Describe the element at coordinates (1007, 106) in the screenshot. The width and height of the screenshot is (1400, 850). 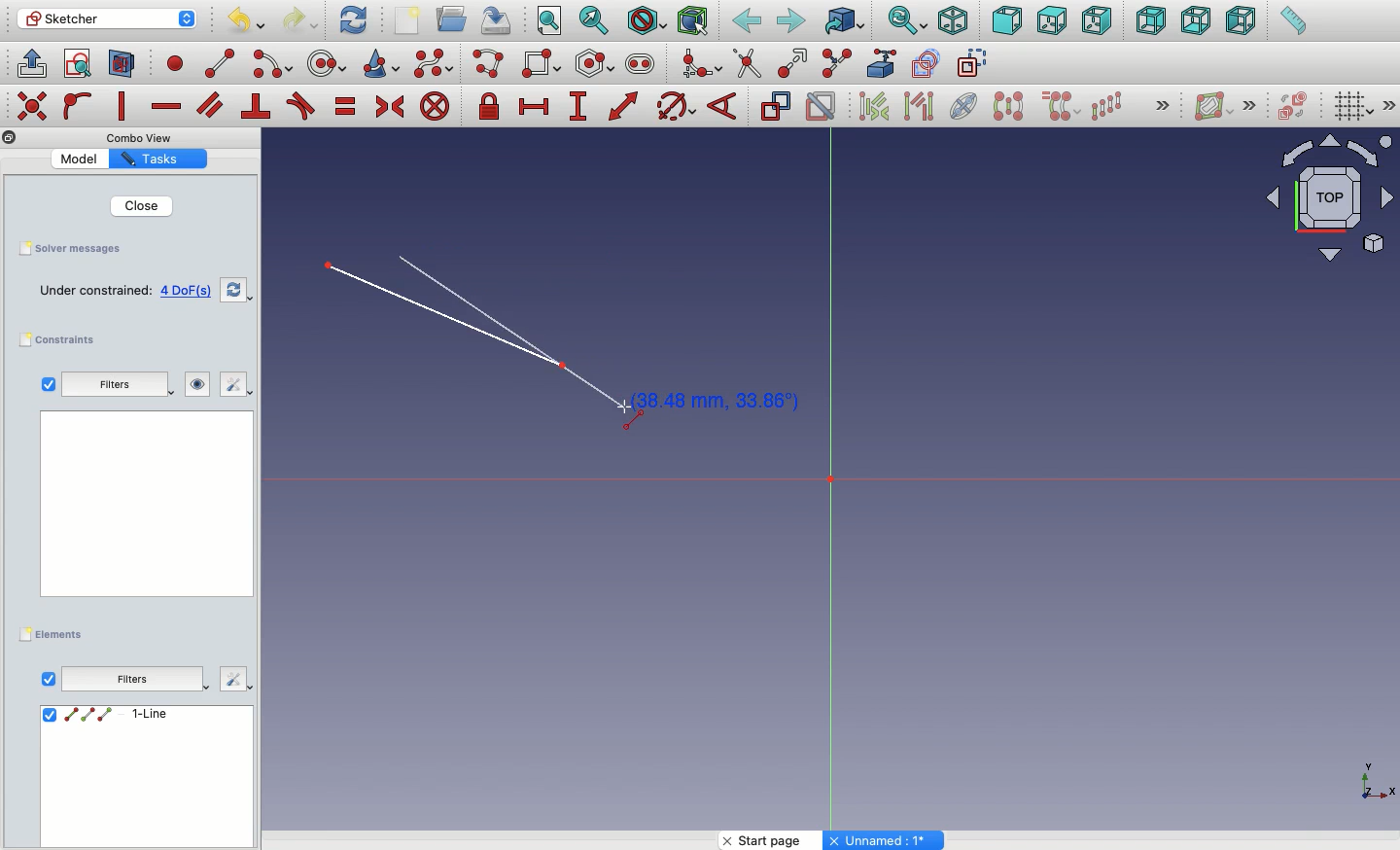
I see `Symmetry` at that location.